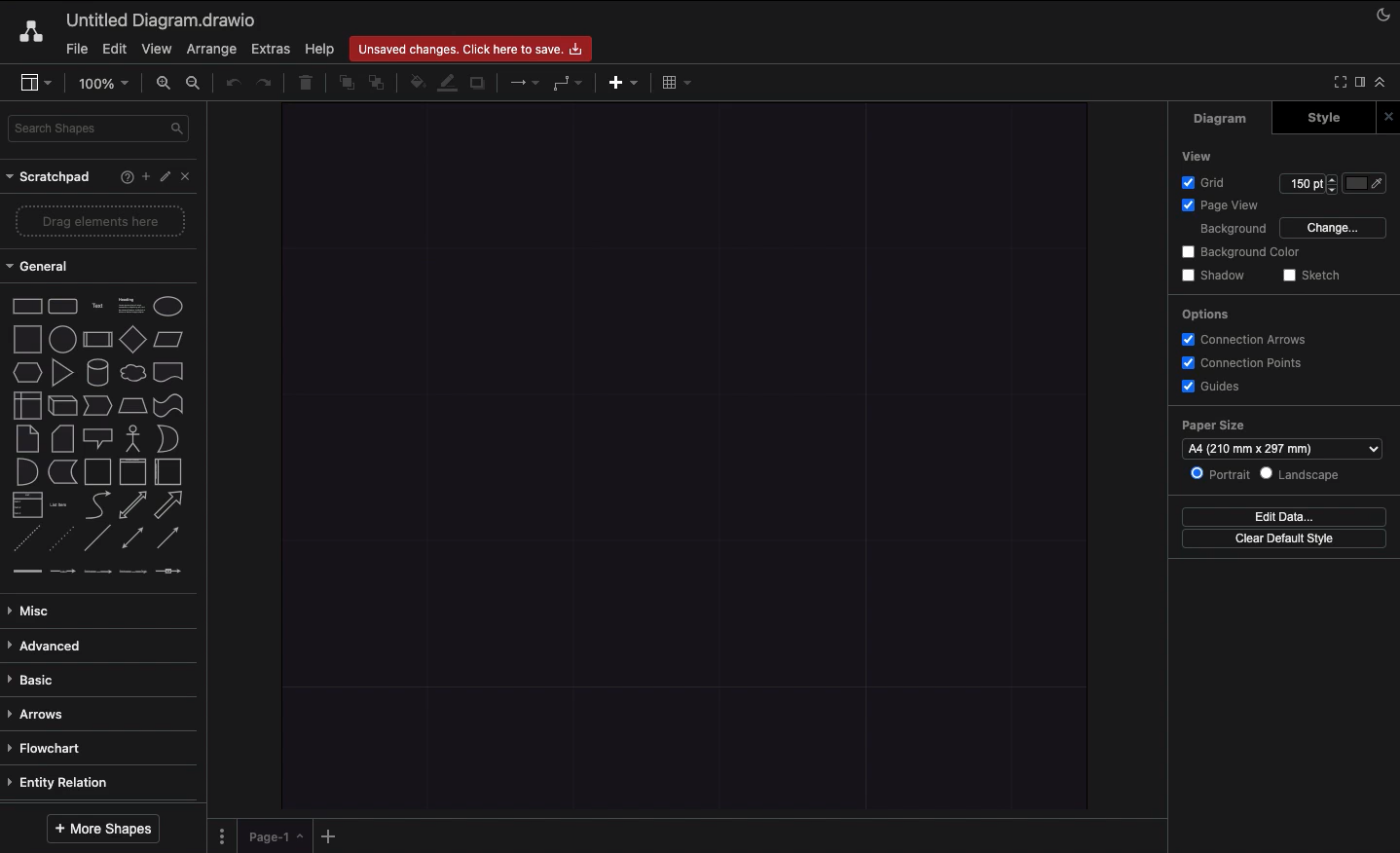  I want to click on Format, so click(1359, 82).